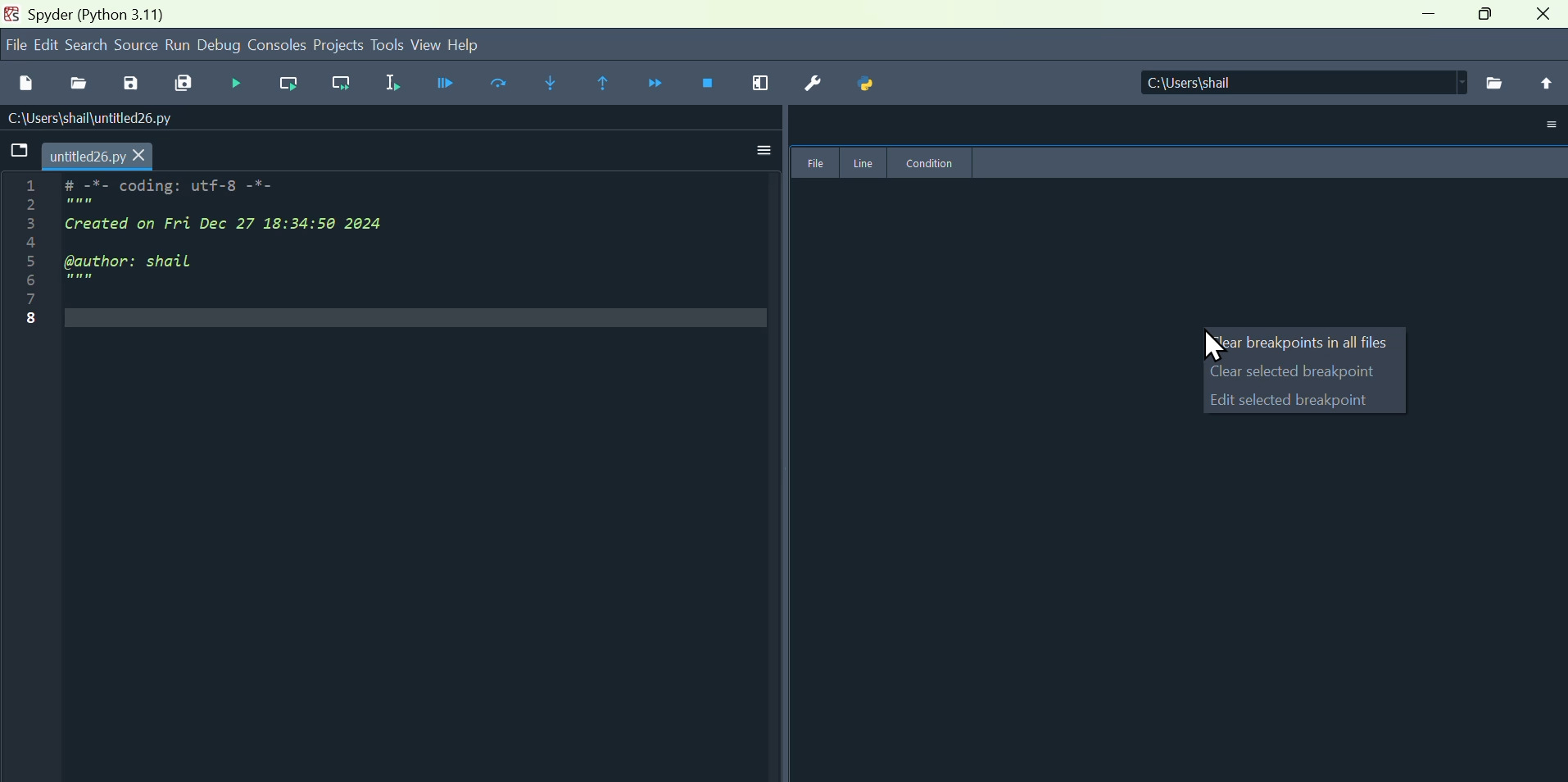 The height and width of the screenshot is (782, 1568). Describe the element at coordinates (1299, 344) in the screenshot. I see `Clear breakpoints in all files` at that location.